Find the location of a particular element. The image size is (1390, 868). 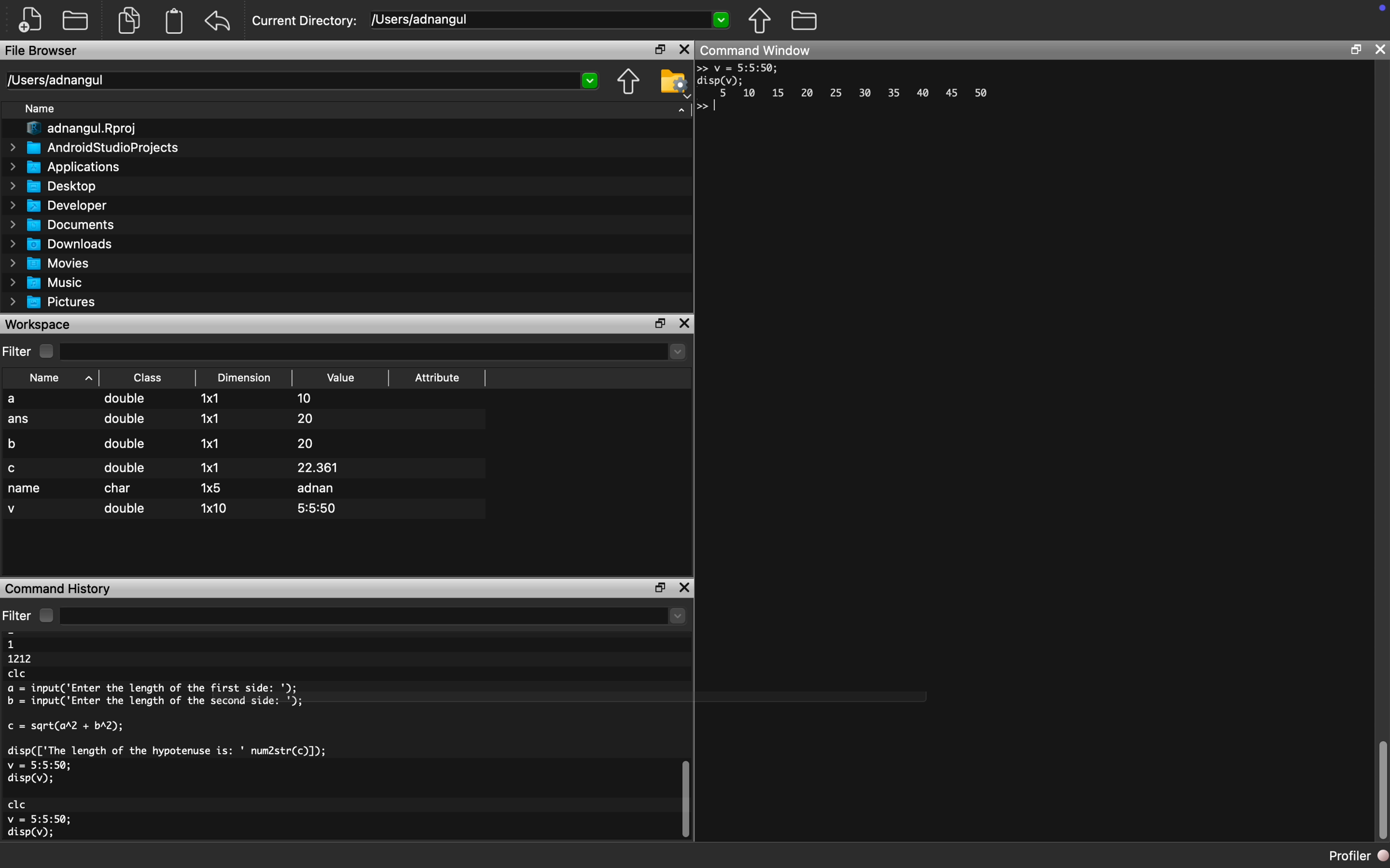

1x1 is located at coordinates (213, 468).